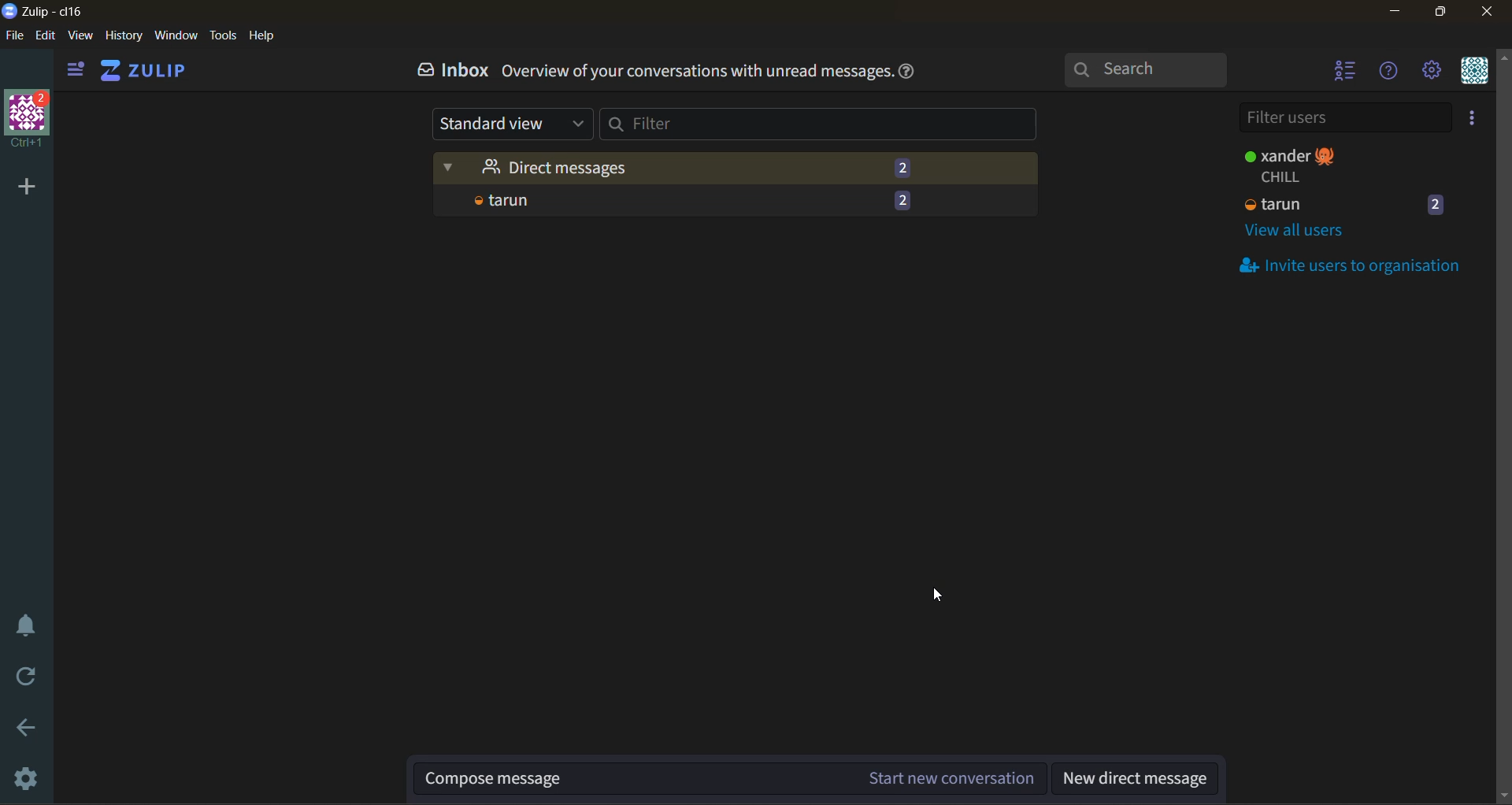 This screenshot has height=805, width=1512. I want to click on Cursor, so click(941, 596).